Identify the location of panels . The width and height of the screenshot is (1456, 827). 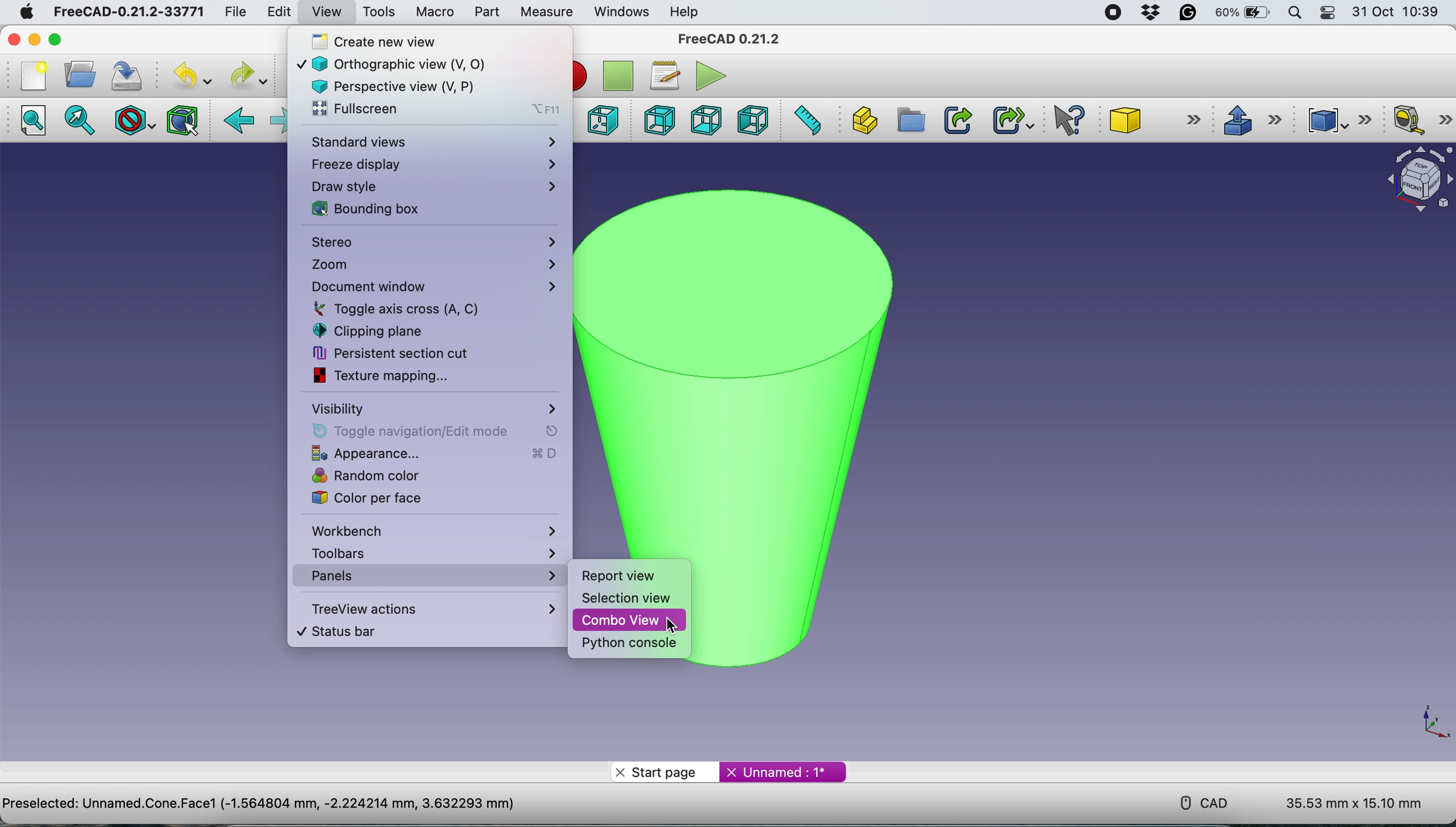
(424, 576).